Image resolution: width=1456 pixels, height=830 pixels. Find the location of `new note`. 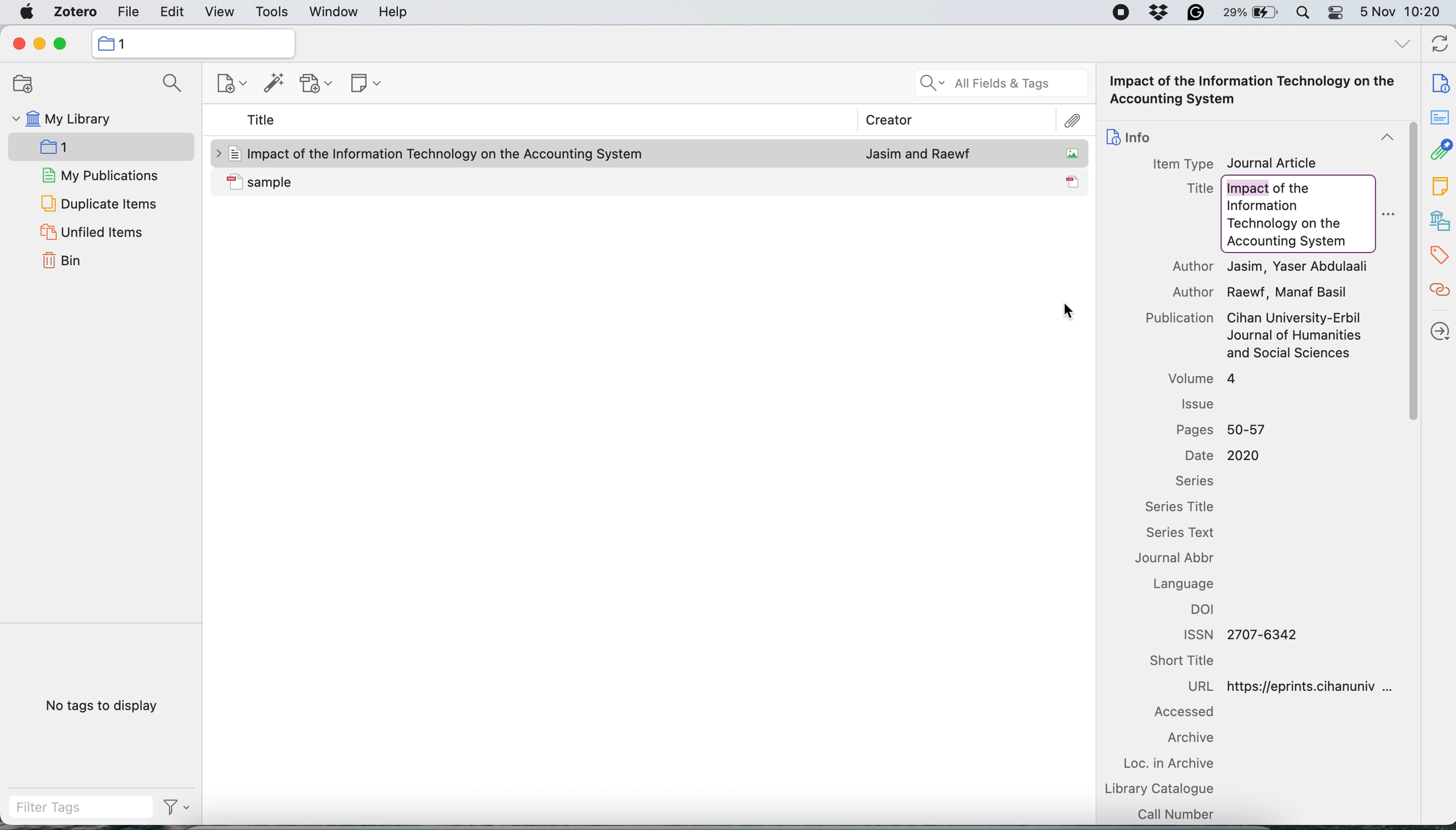

new note is located at coordinates (364, 84).